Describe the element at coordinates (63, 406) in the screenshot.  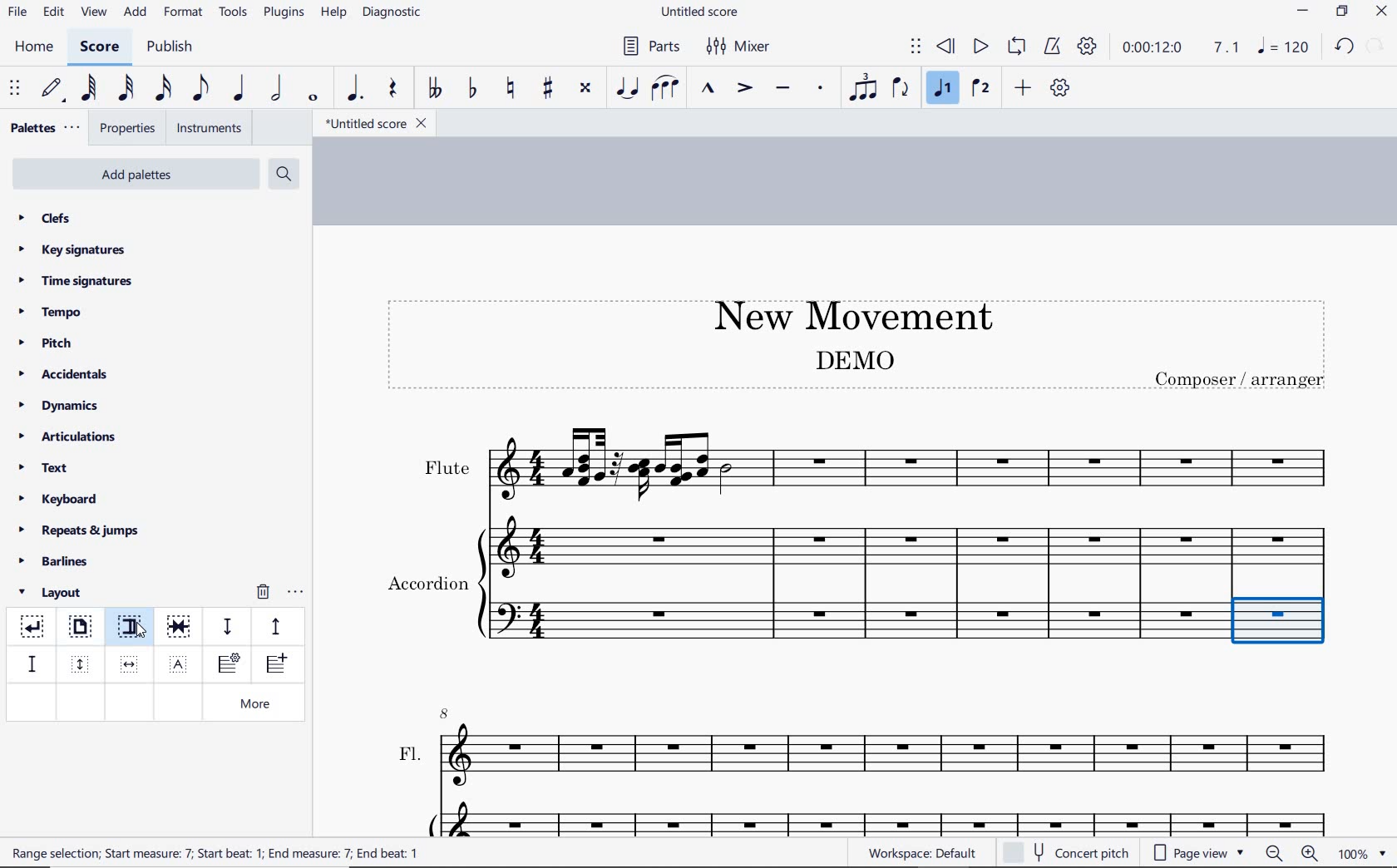
I see `dynamics` at that location.